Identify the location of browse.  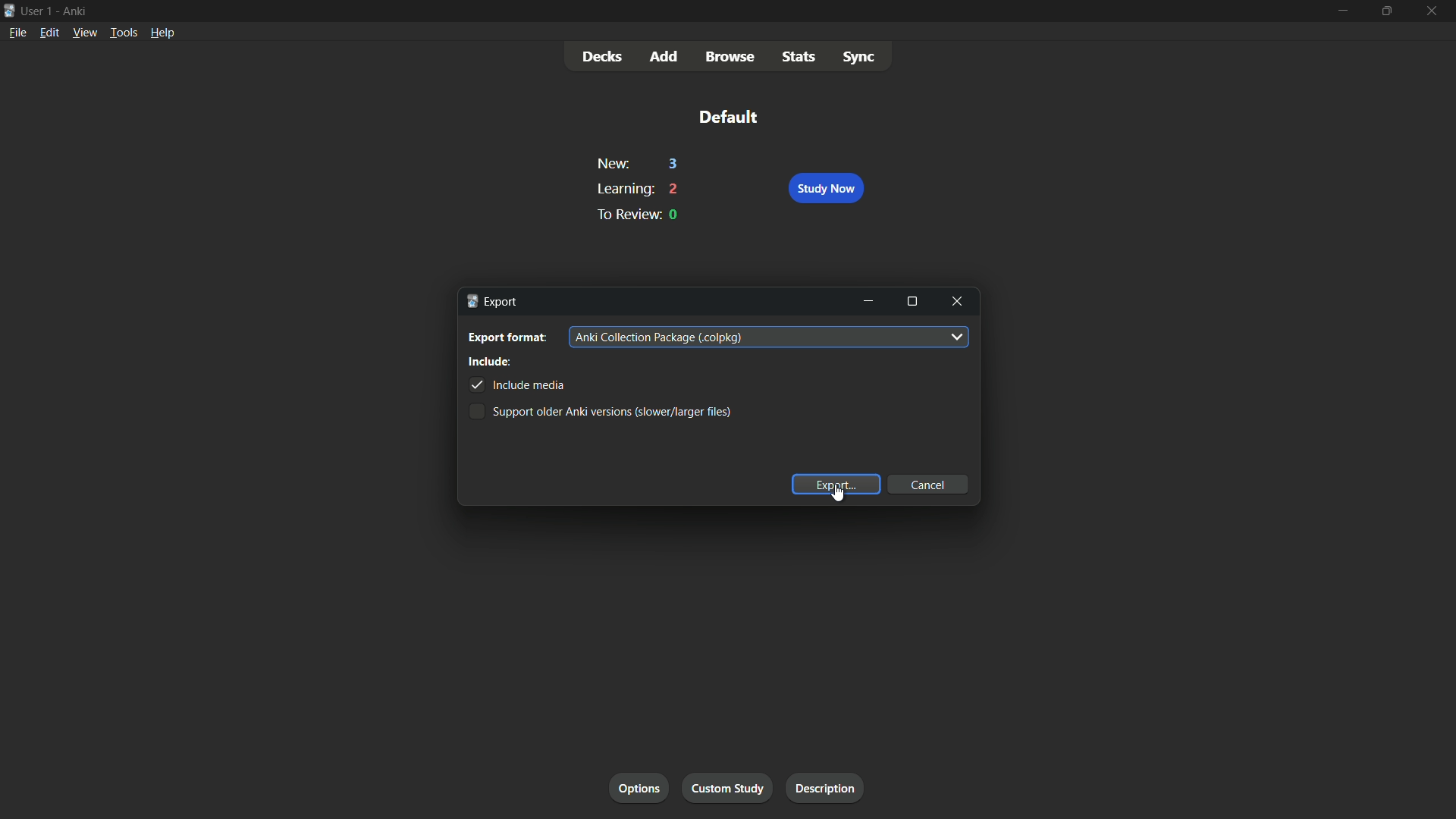
(730, 58).